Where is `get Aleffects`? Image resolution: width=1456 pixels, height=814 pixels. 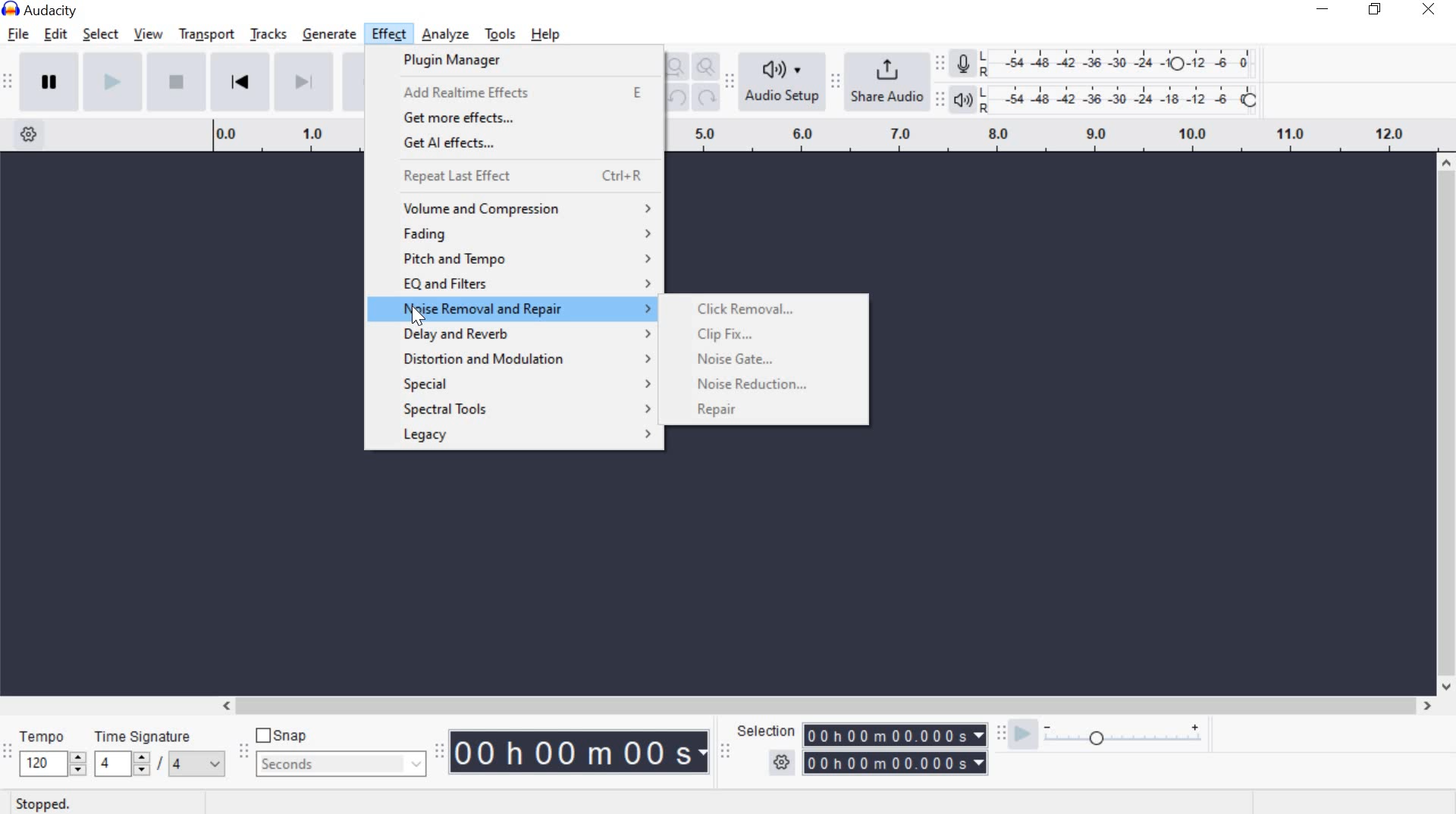
get Aleffects is located at coordinates (477, 143).